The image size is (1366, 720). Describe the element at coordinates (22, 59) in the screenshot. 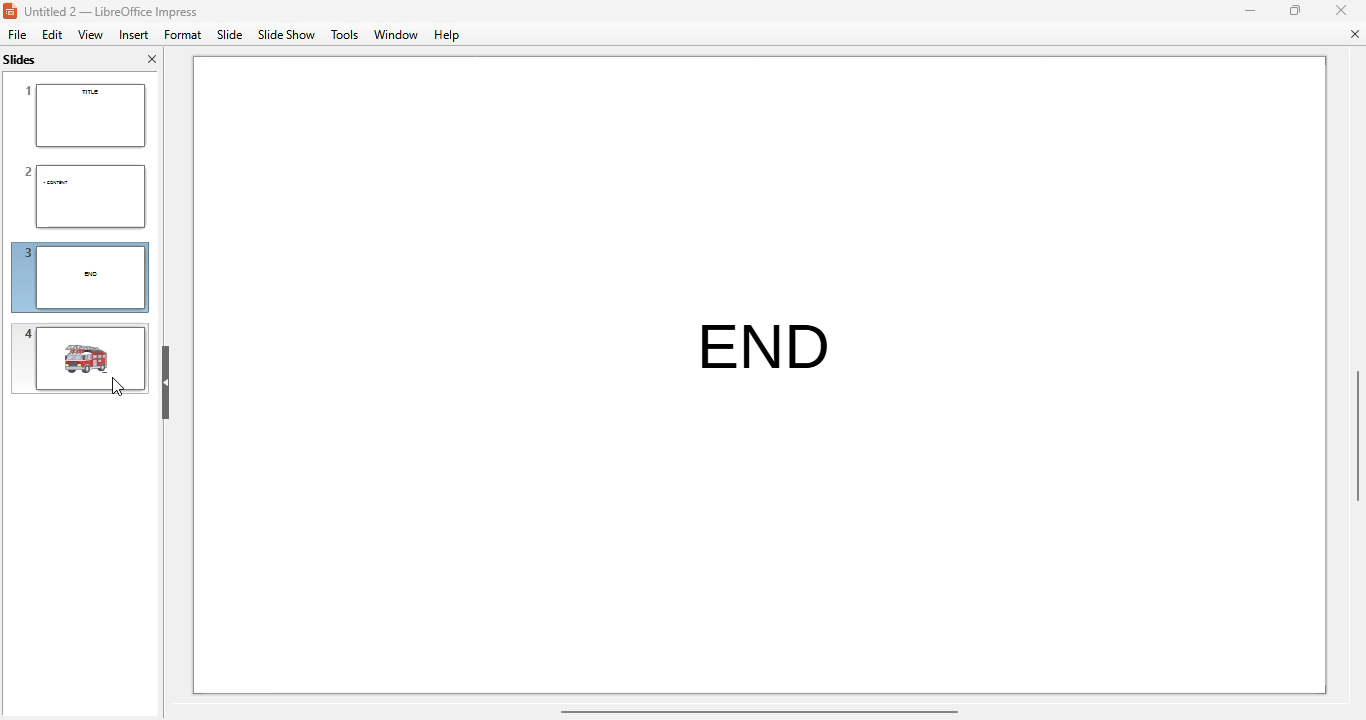

I see `slides` at that location.